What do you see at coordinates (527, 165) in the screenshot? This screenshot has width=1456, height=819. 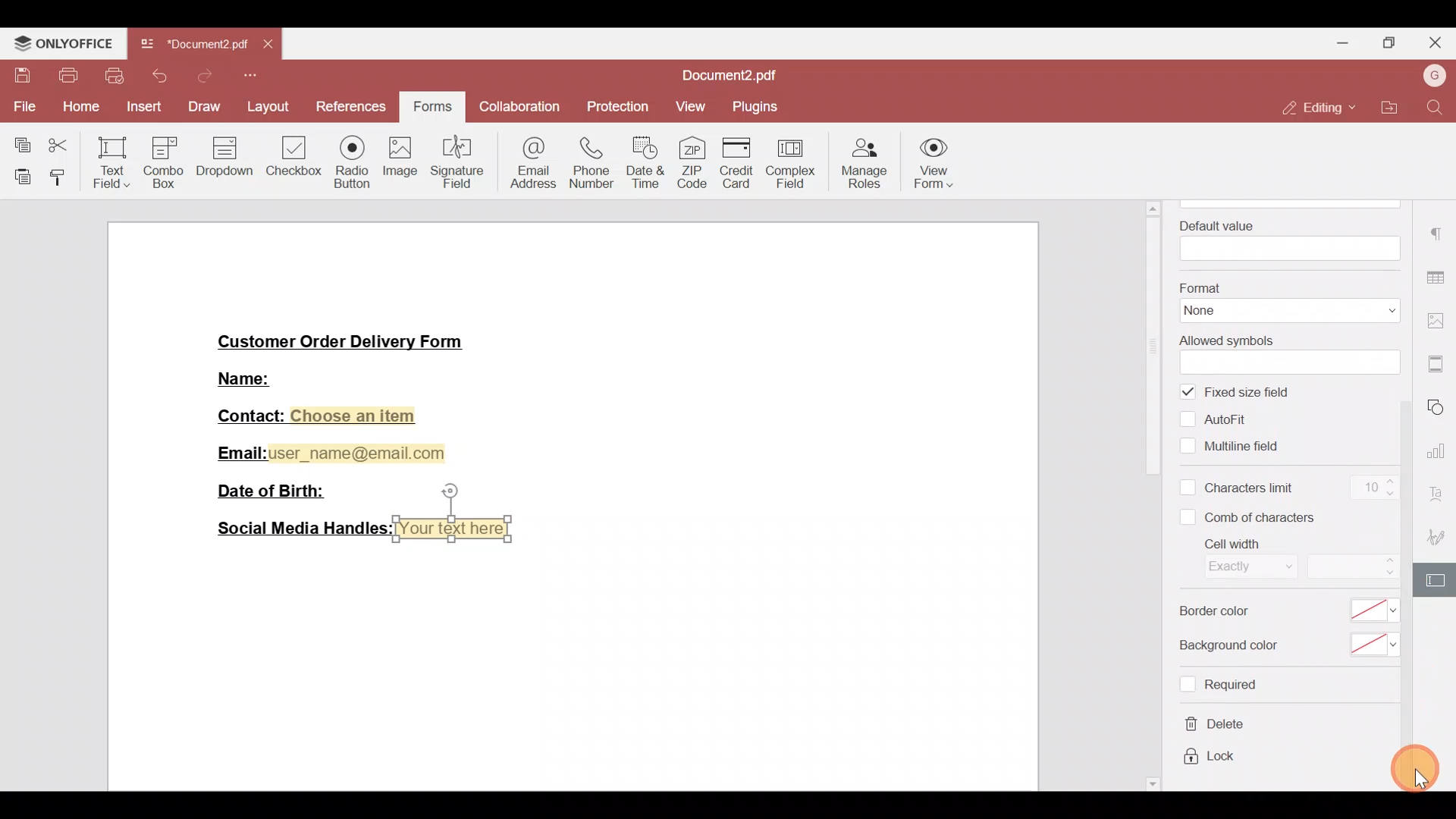 I see `Email address` at bounding box center [527, 165].